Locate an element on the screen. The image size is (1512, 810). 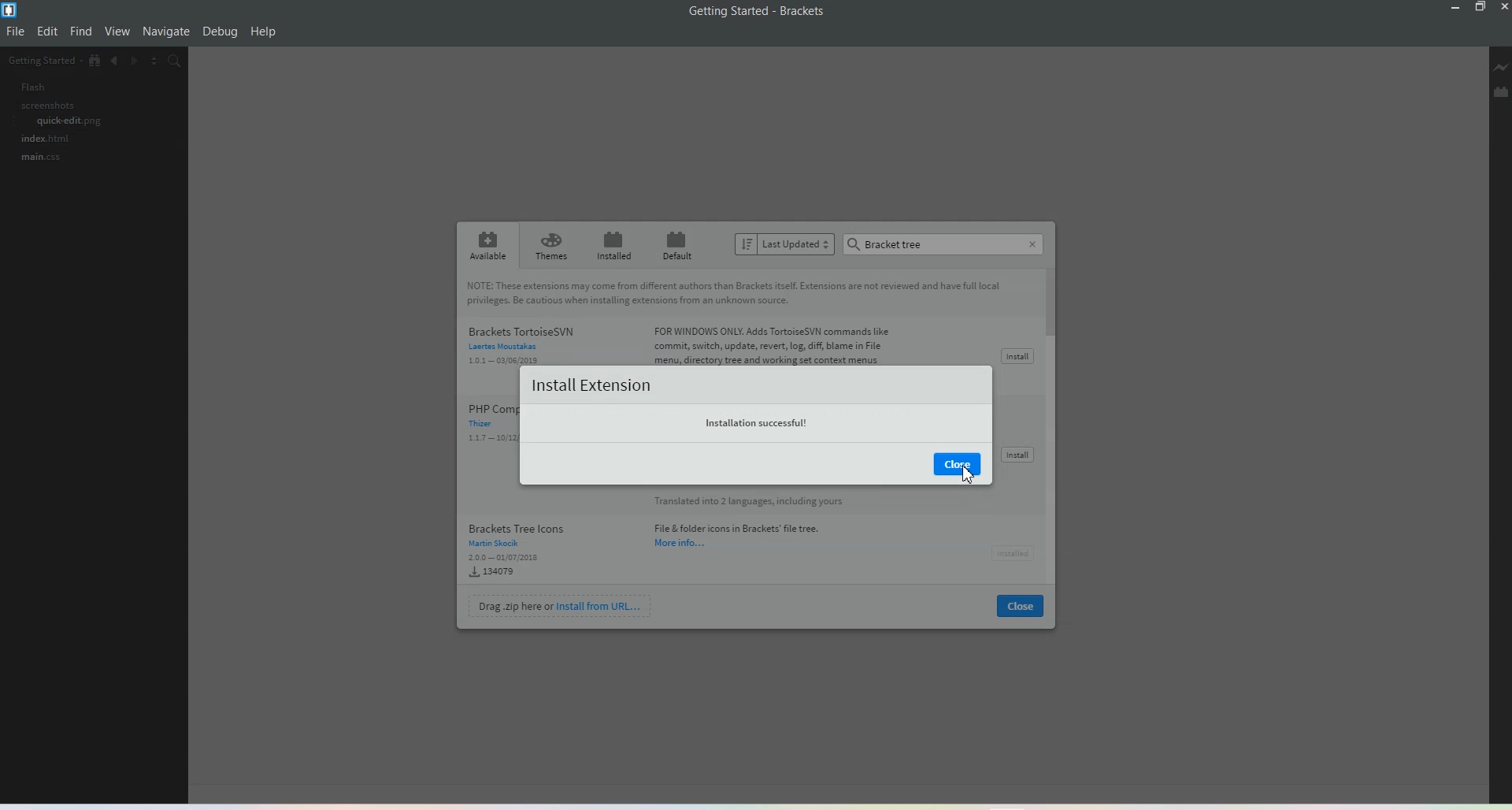
Close is located at coordinates (1029, 241).